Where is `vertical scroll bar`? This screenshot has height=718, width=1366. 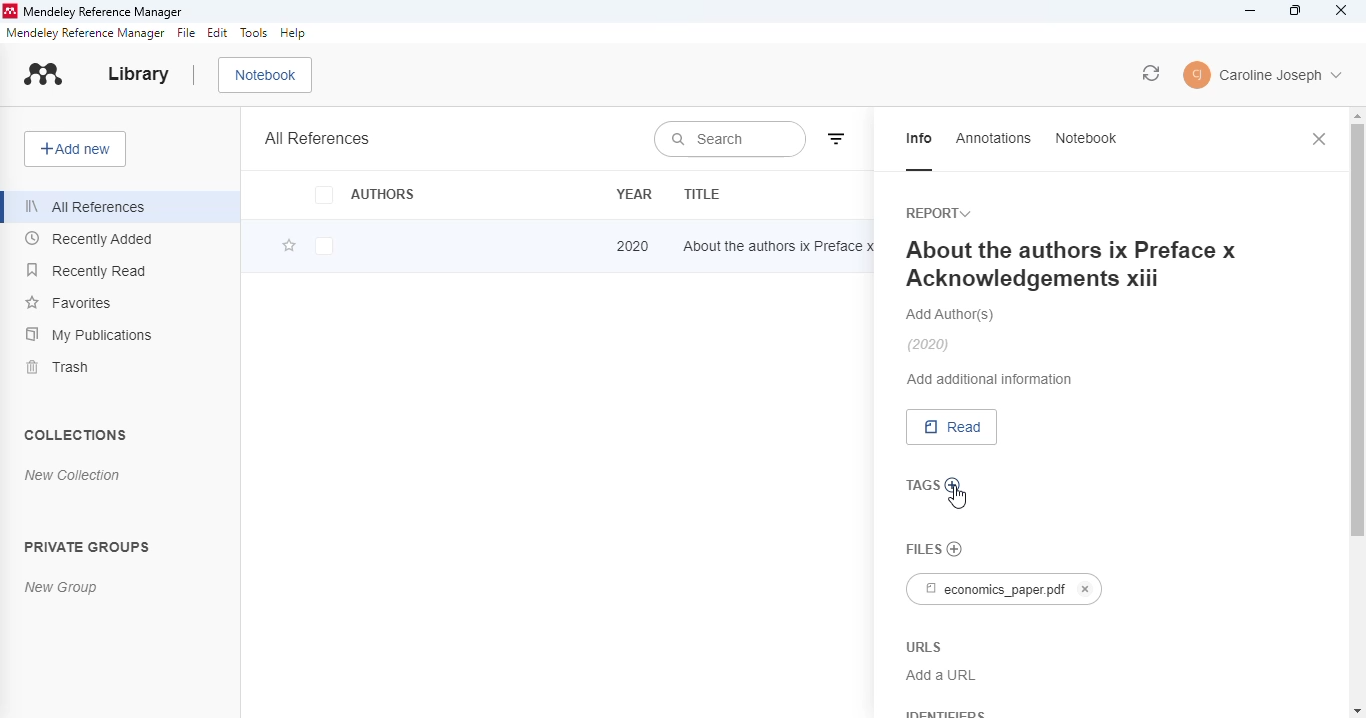 vertical scroll bar is located at coordinates (1356, 329).